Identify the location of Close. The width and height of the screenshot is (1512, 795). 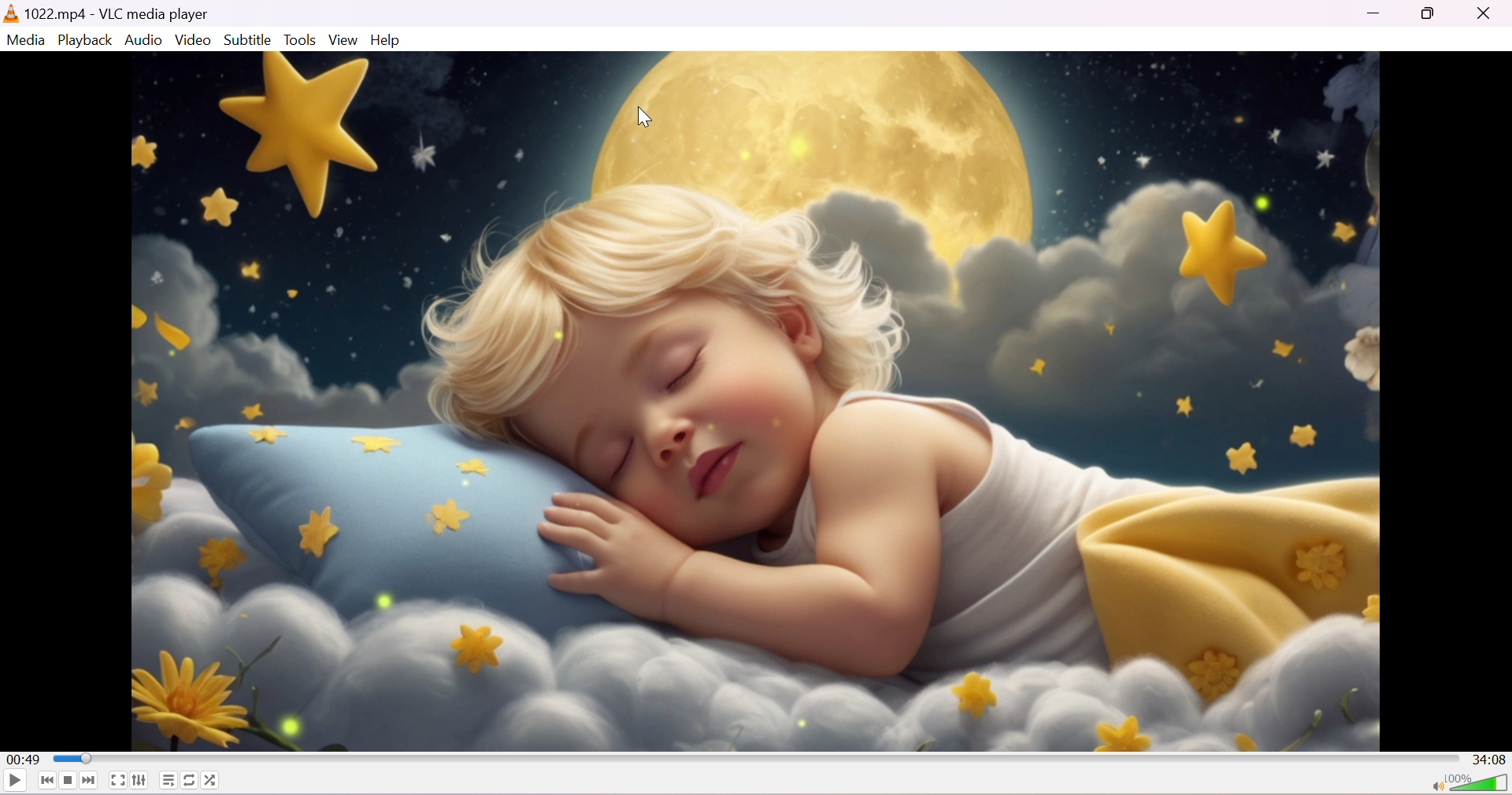
(1484, 12).